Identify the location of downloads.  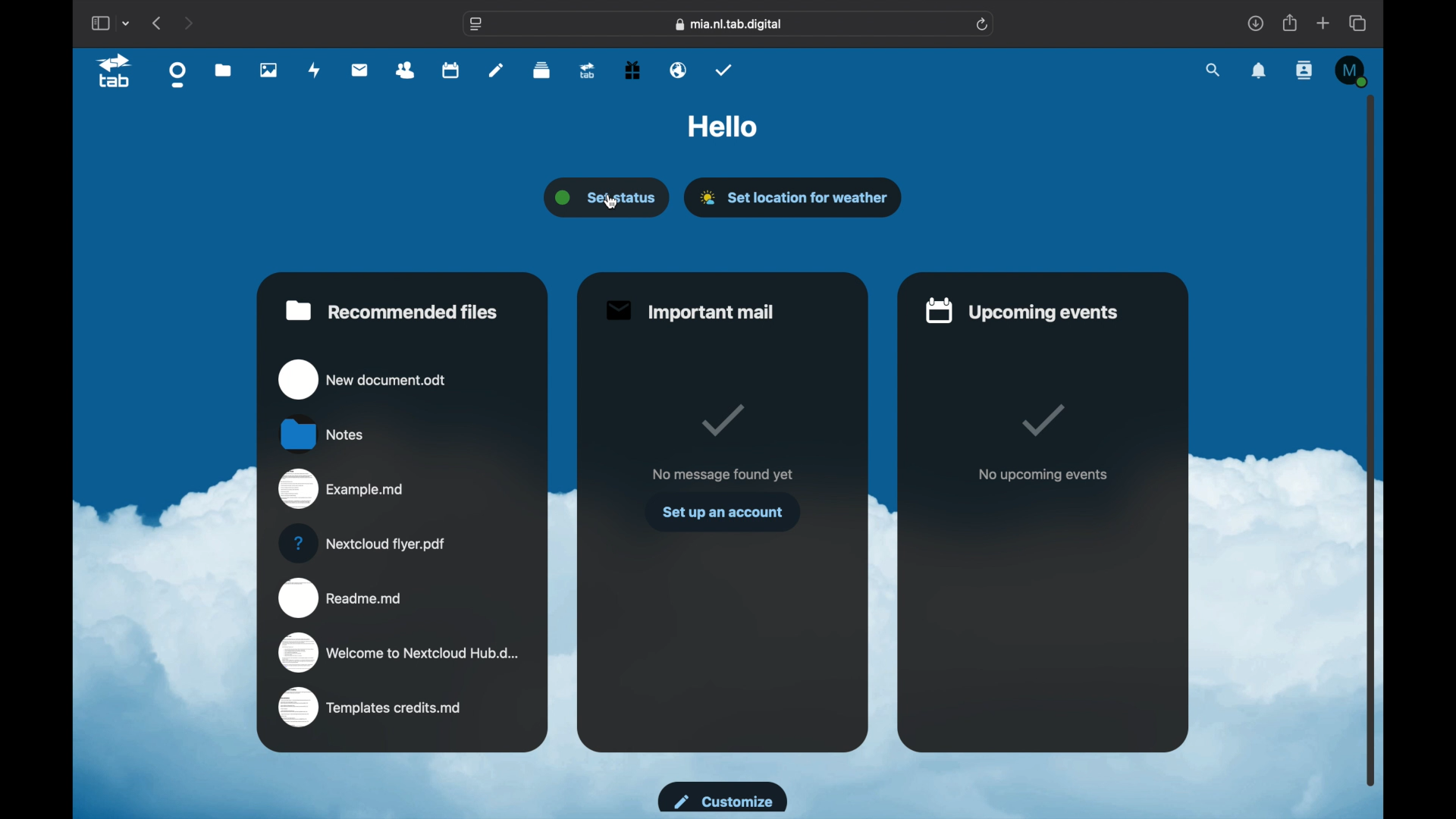
(1255, 24).